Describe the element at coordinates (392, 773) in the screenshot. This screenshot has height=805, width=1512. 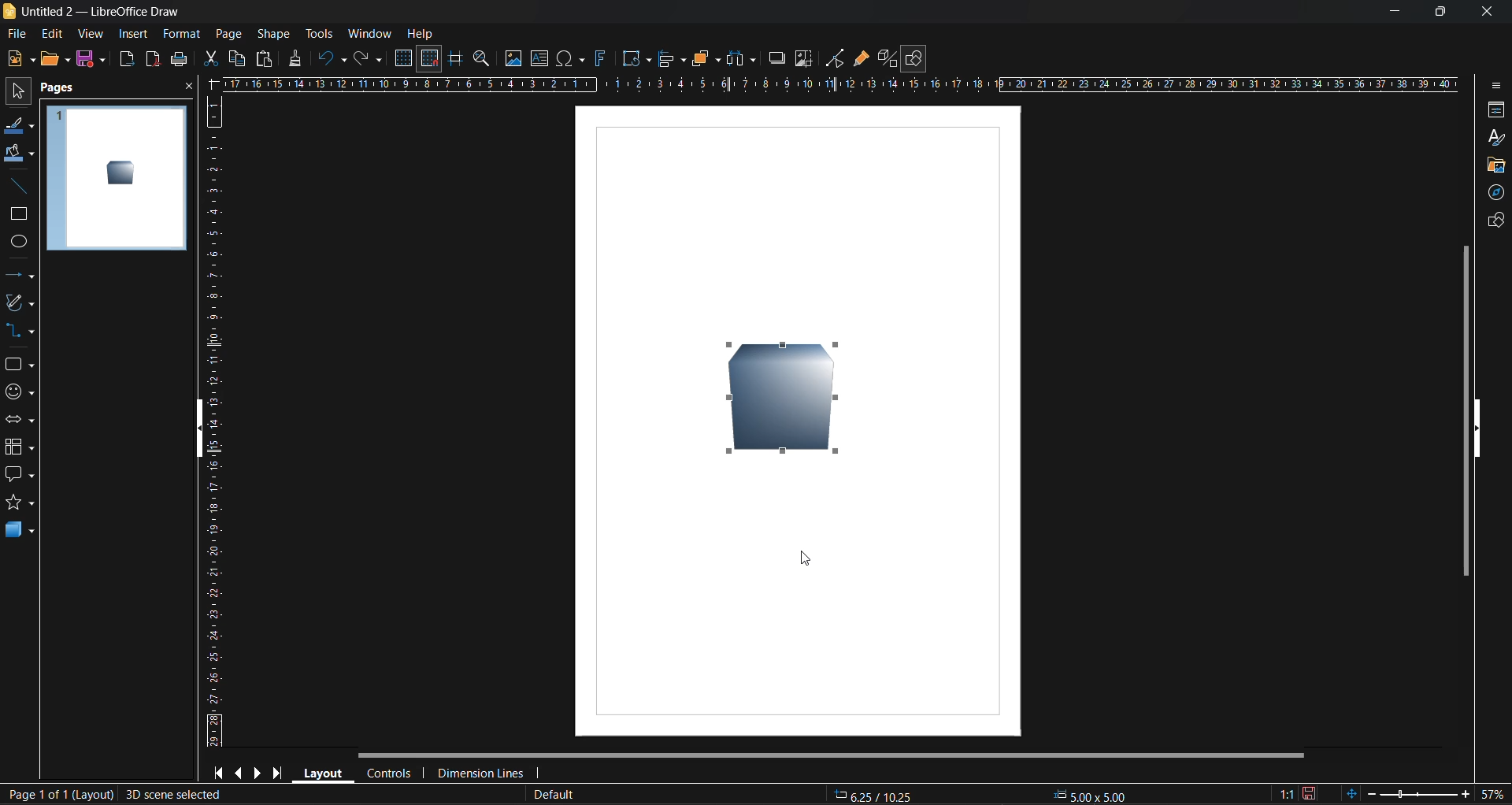
I see `controls` at that location.